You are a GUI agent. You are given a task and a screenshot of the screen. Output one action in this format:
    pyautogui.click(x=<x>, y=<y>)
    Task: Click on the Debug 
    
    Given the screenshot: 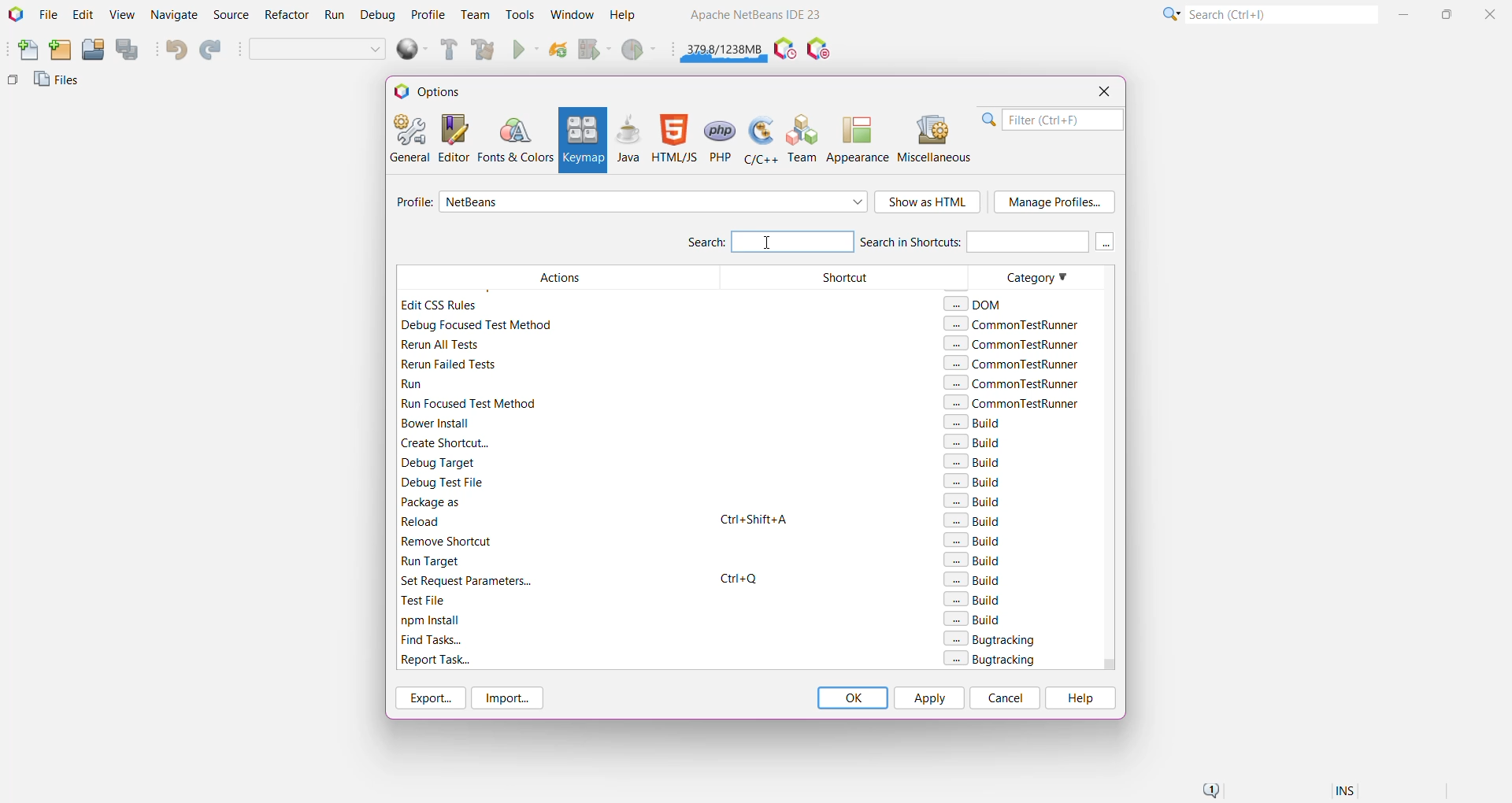 What is the action you would take?
    pyautogui.click(x=376, y=16)
    